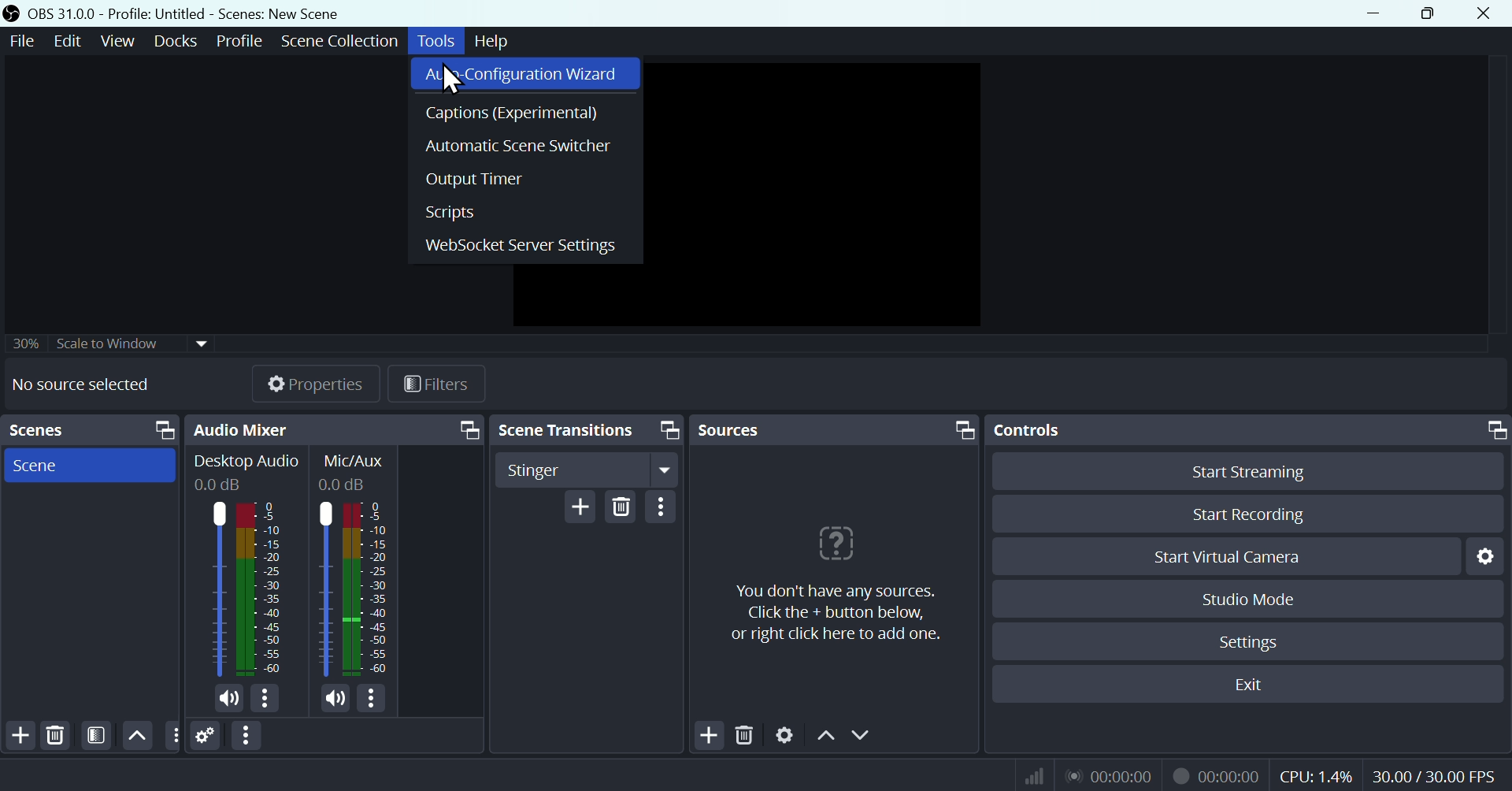  Describe the element at coordinates (229, 699) in the screenshot. I see `mic` at that location.